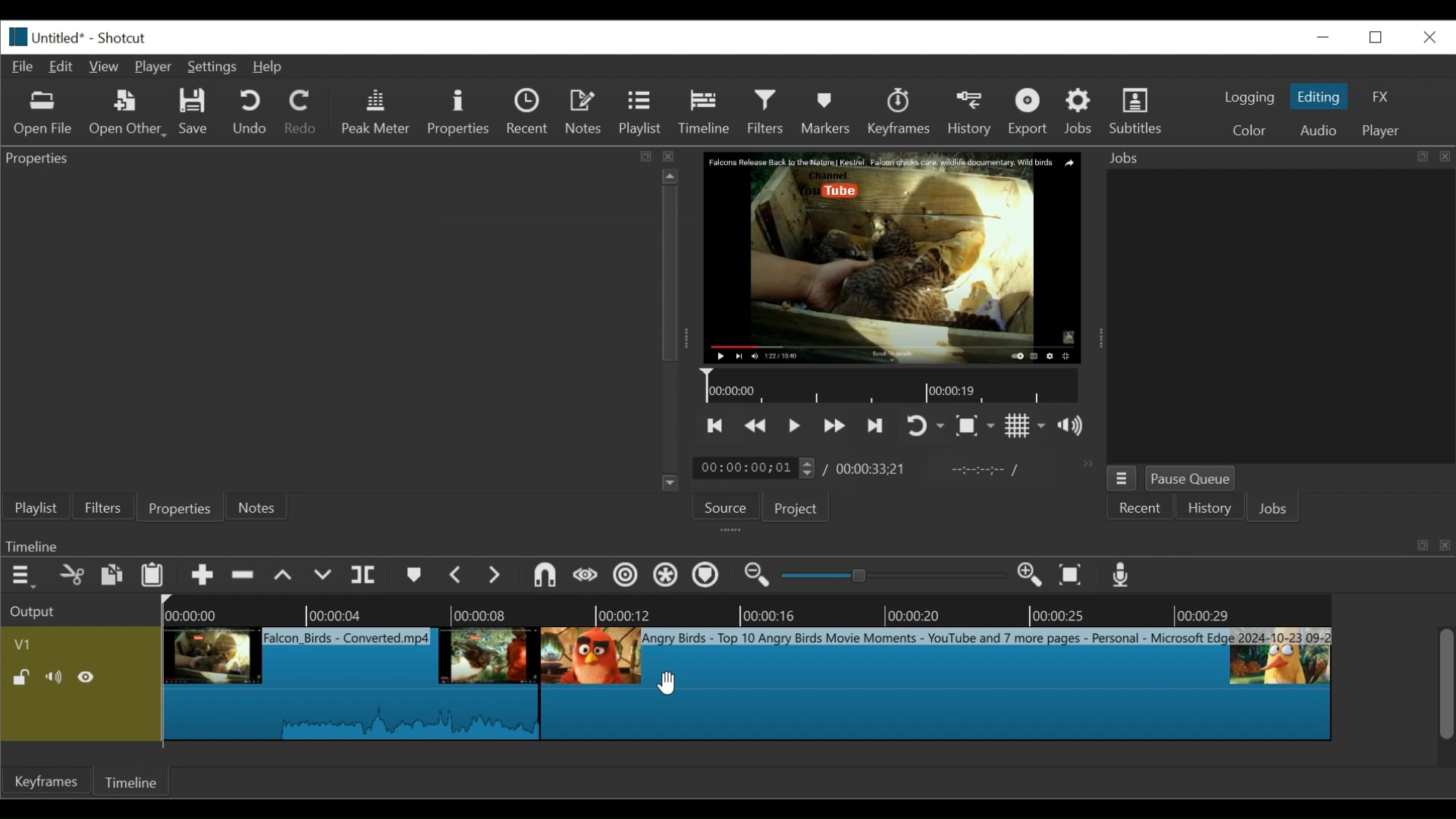  What do you see at coordinates (78, 609) in the screenshot?
I see `Output` at bounding box center [78, 609].